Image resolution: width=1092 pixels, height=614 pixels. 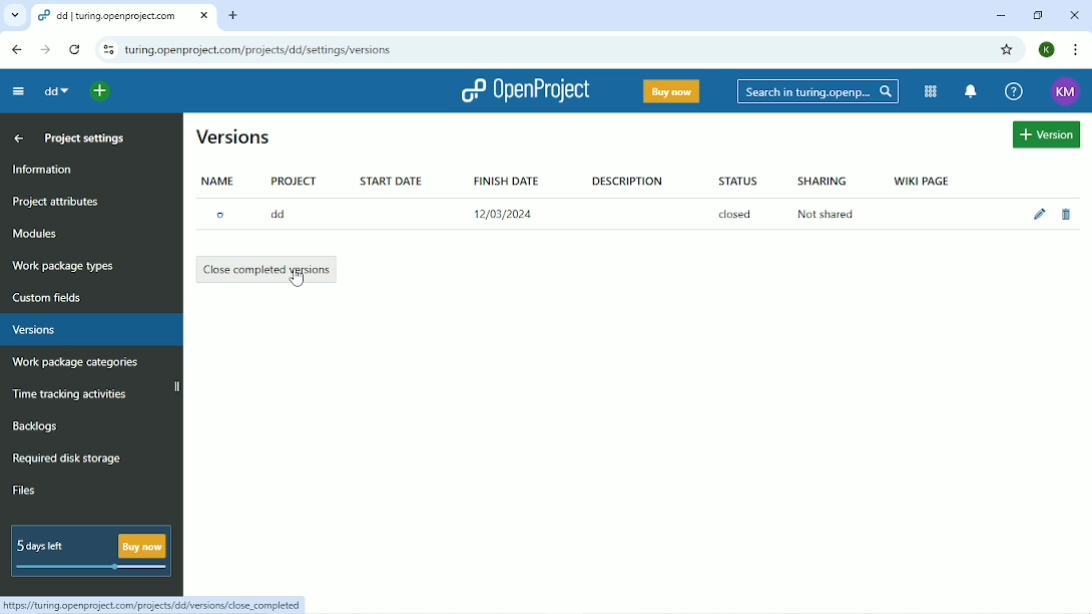 I want to click on Create version, so click(x=1047, y=135).